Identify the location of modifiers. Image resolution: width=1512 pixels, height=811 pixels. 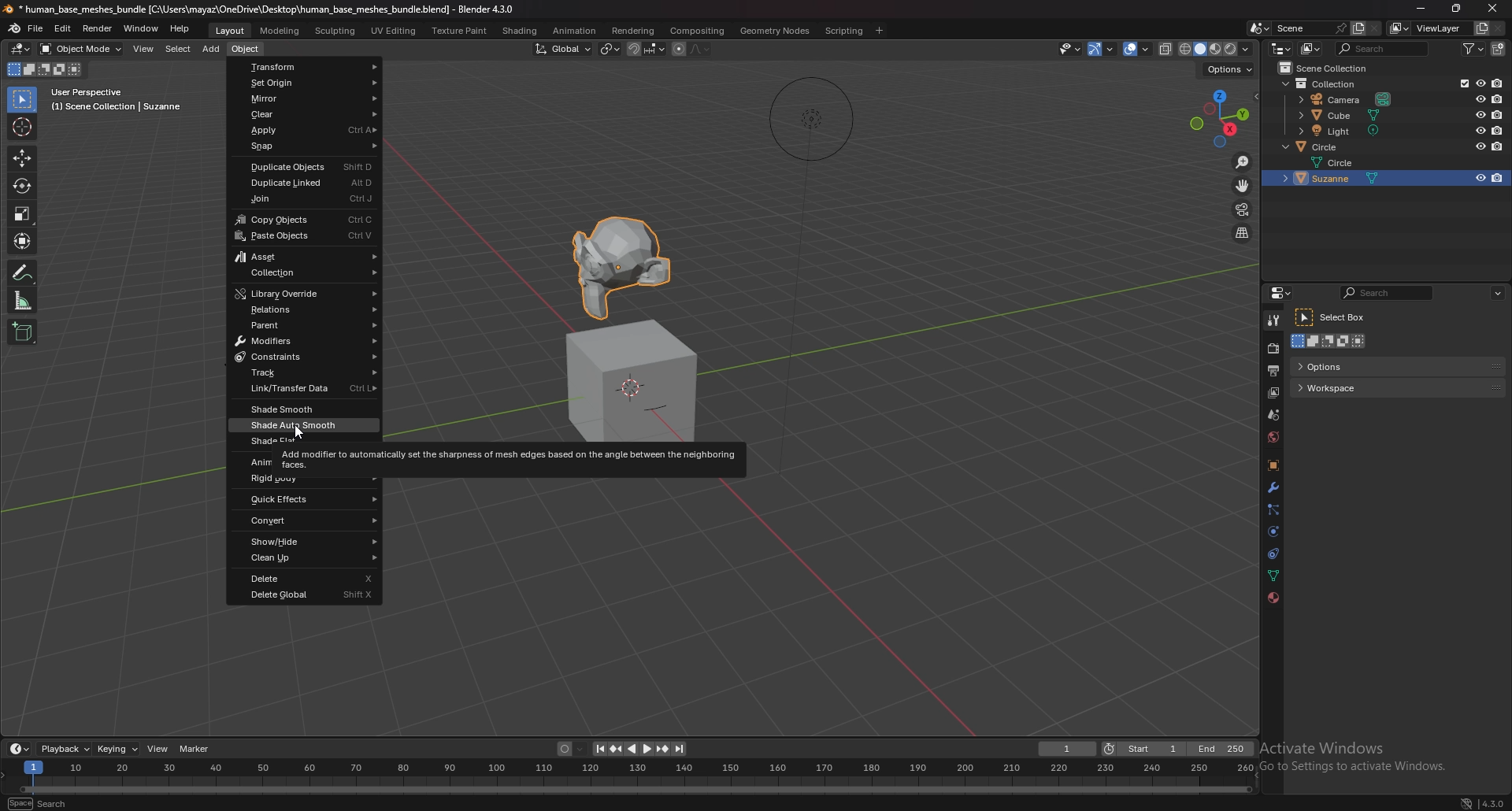
(303, 341).